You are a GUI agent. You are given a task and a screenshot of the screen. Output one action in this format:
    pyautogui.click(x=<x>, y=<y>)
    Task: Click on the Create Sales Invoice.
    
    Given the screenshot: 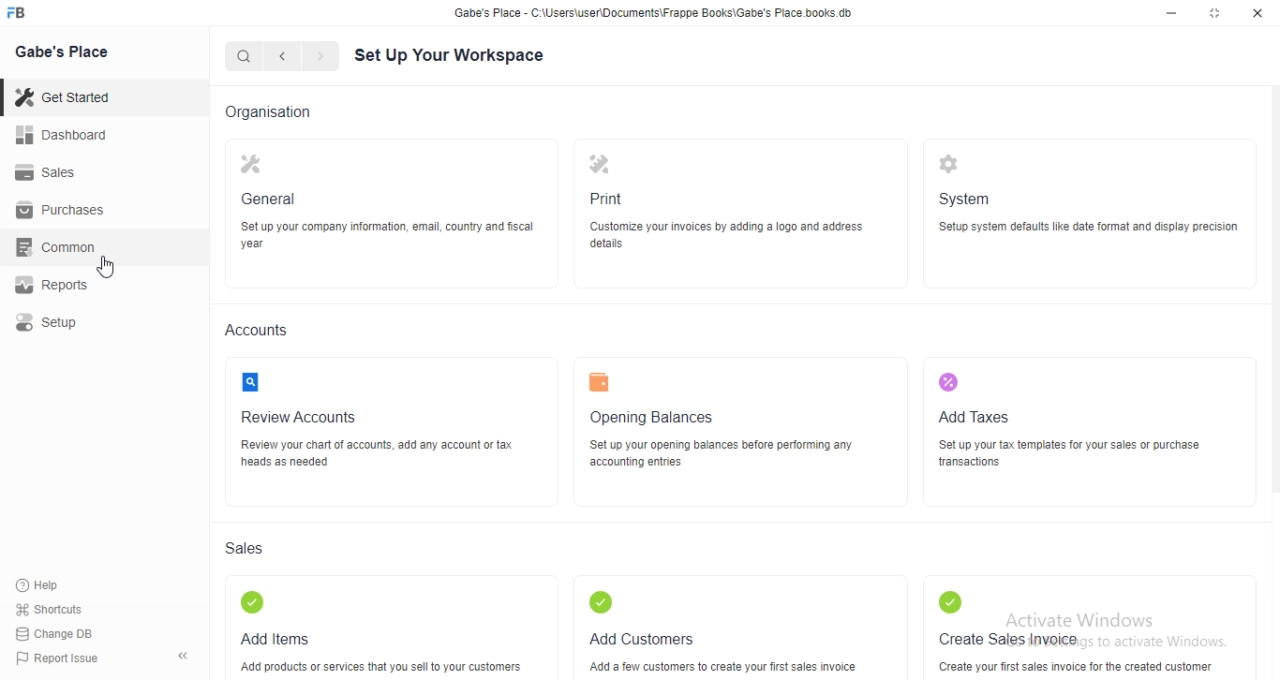 What is the action you would take?
    pyautogui.click(x=1013, y=639)
    